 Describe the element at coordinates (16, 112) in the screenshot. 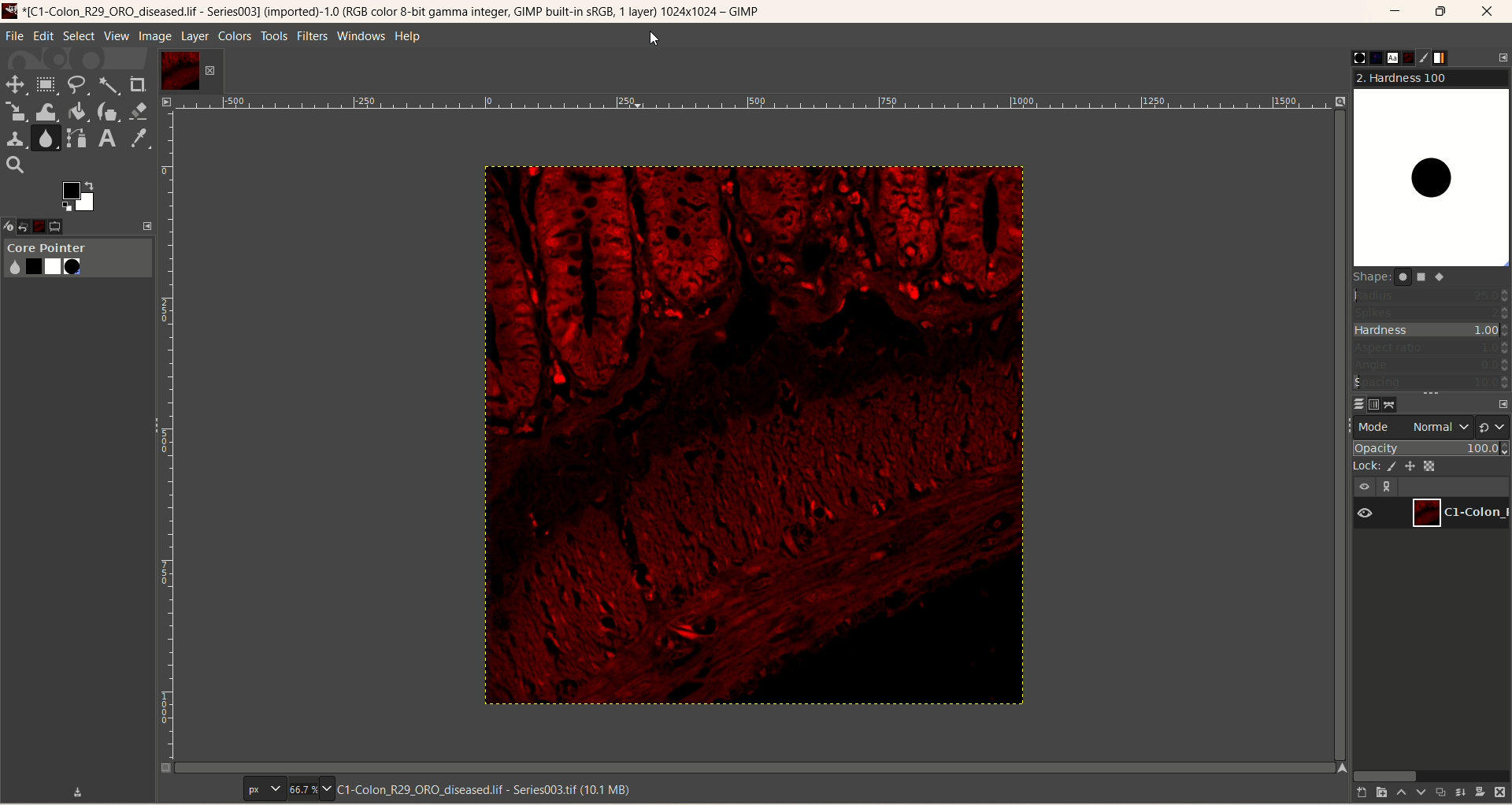

I see `scale` at that location.